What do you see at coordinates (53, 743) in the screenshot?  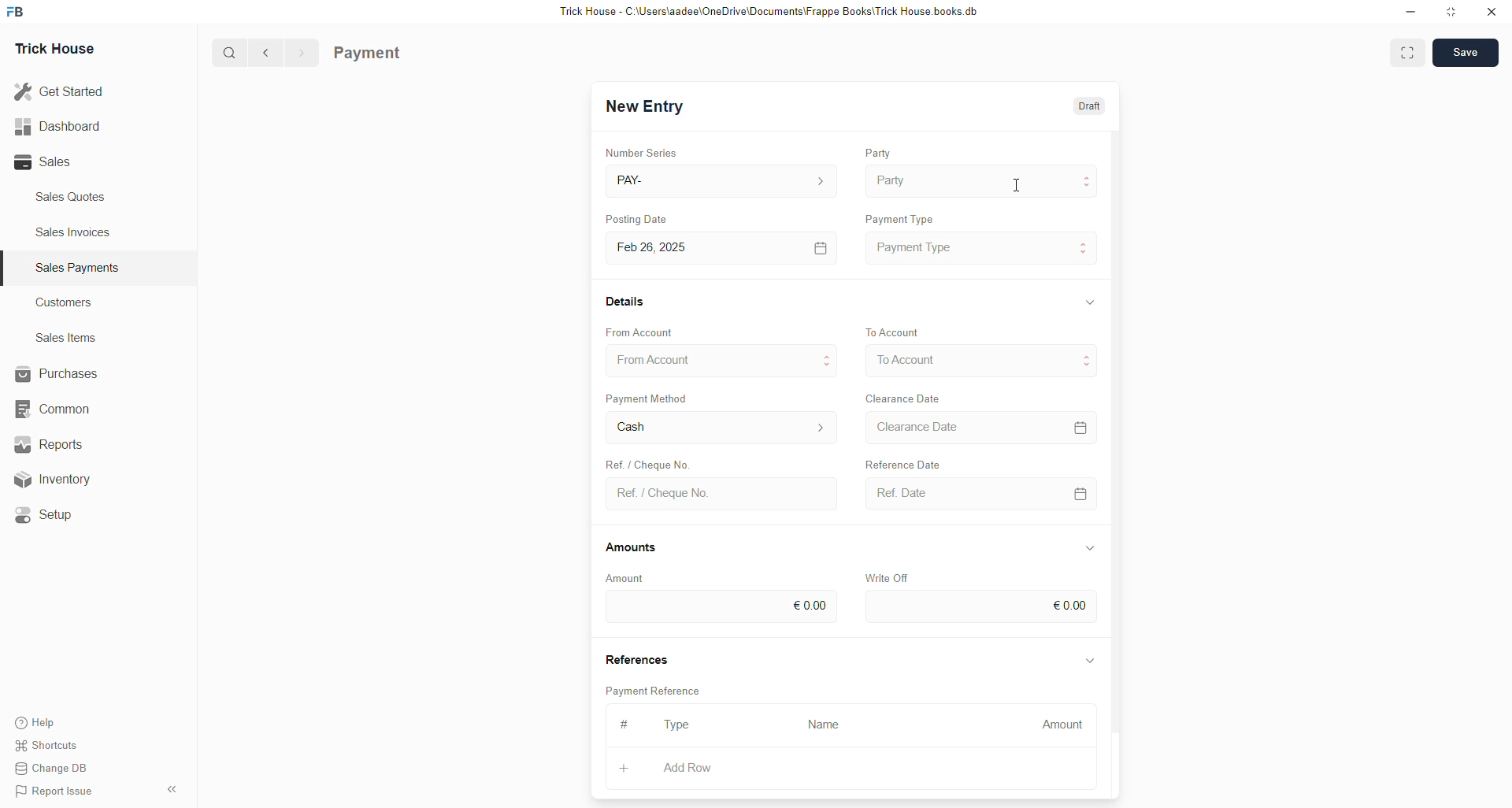 I see `Shortcuts` at bounding box center [53, 743].